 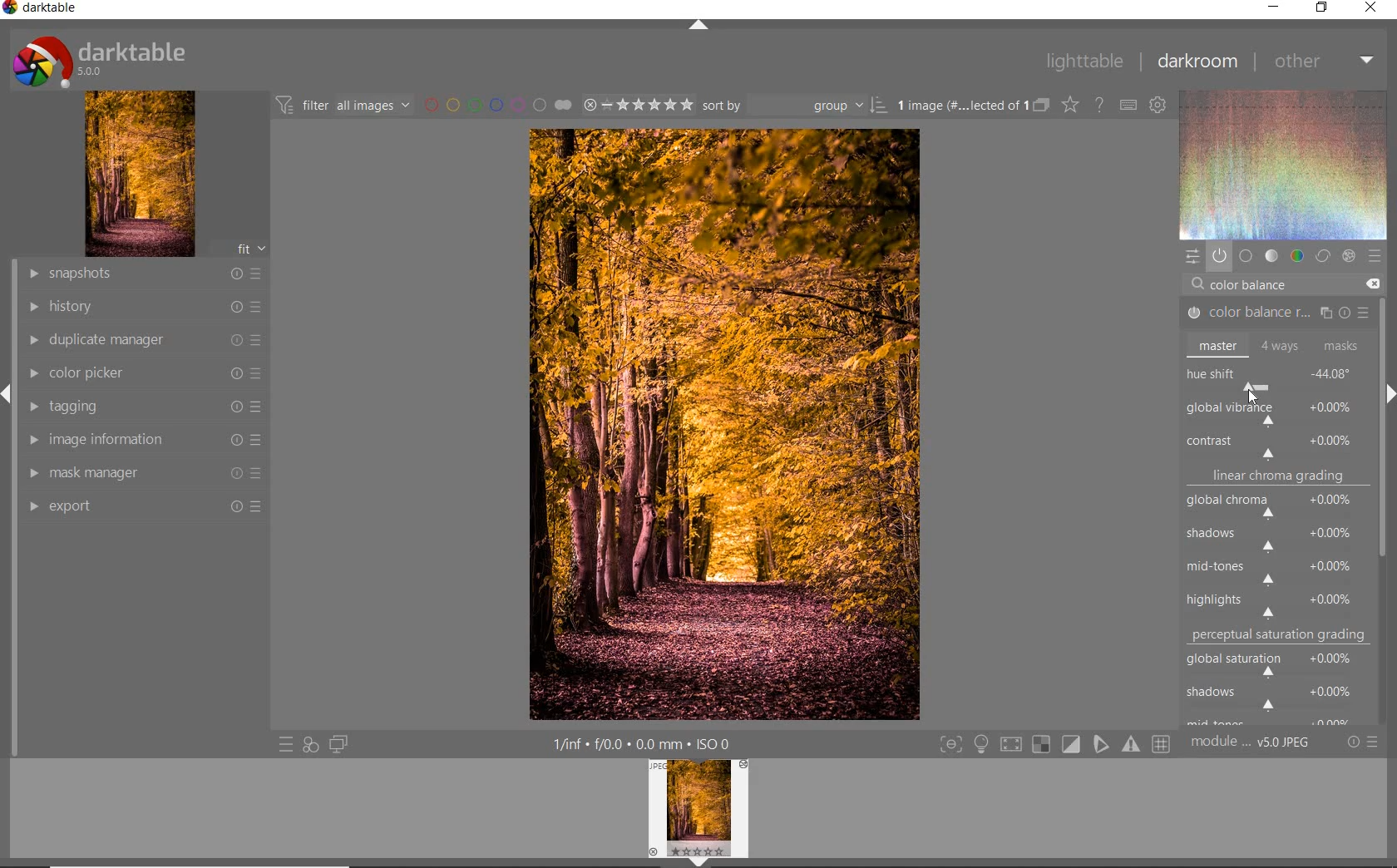 What do you see at coordinates (638, 106) in the screenshot?
I see `selected image range rating` at bounding box center [638, 106].